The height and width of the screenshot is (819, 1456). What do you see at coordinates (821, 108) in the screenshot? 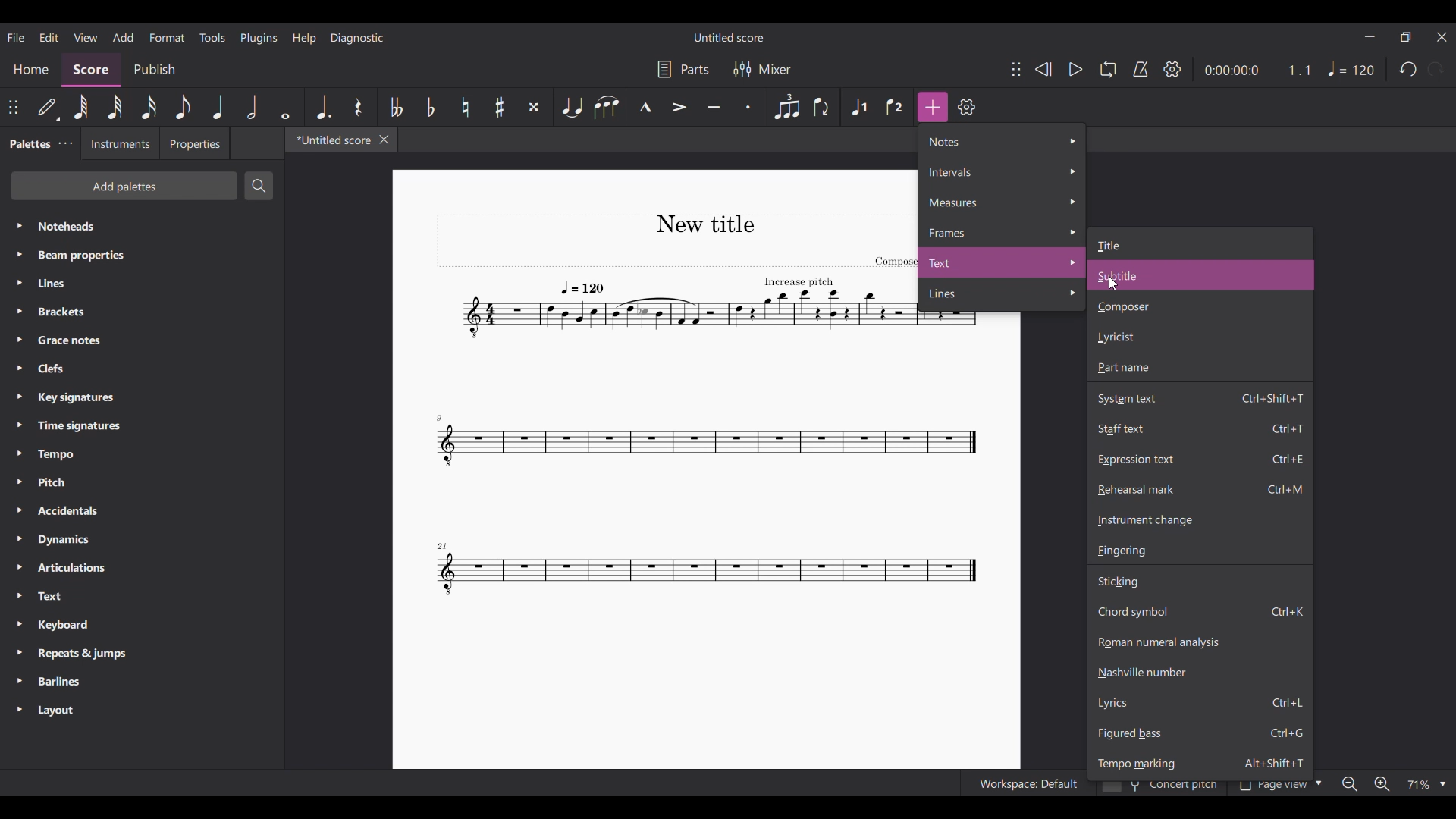
I see `Flip direction` at bounding box center [821, 108].